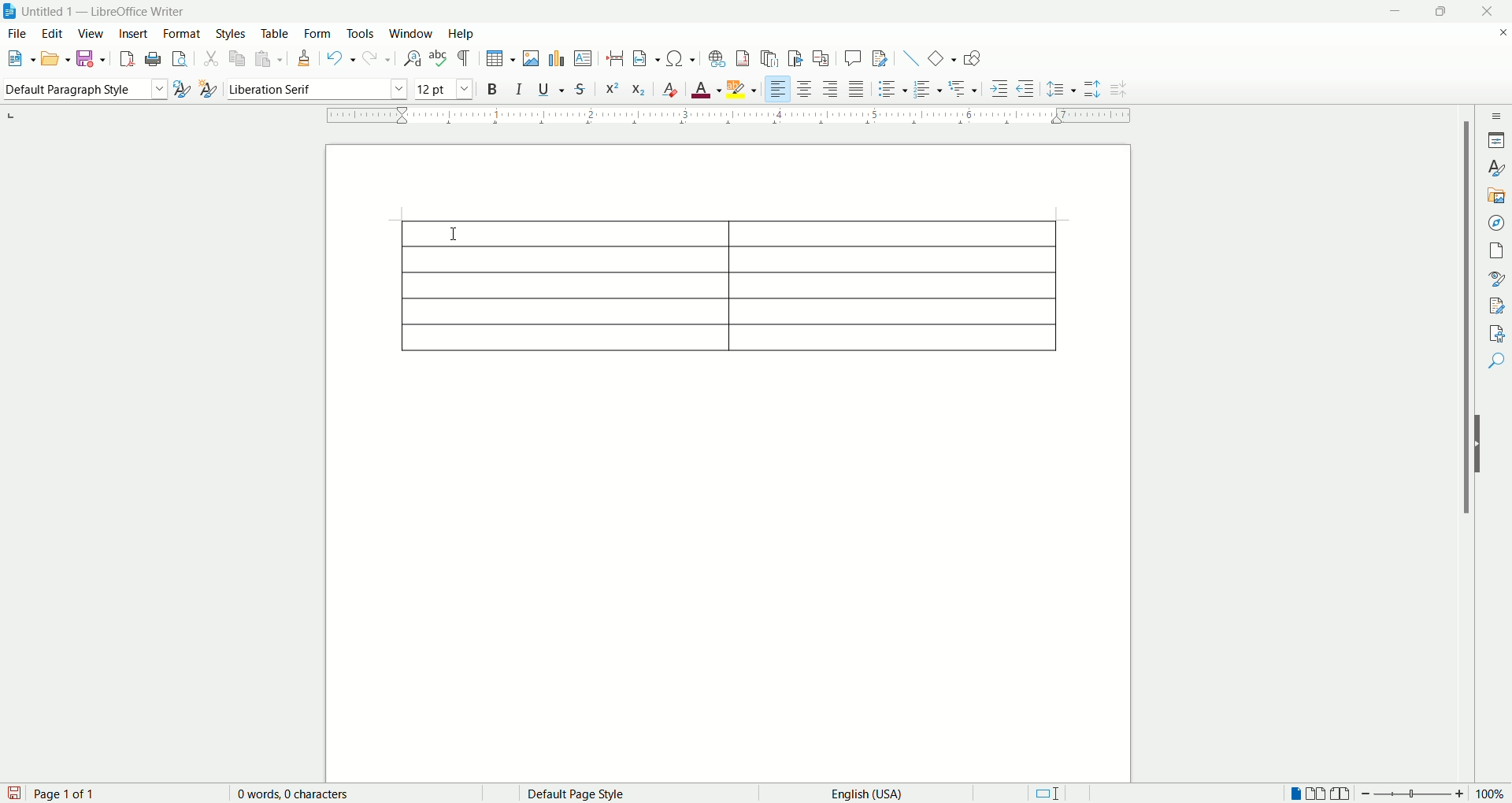  I want to click on left align, so click(831, 87).